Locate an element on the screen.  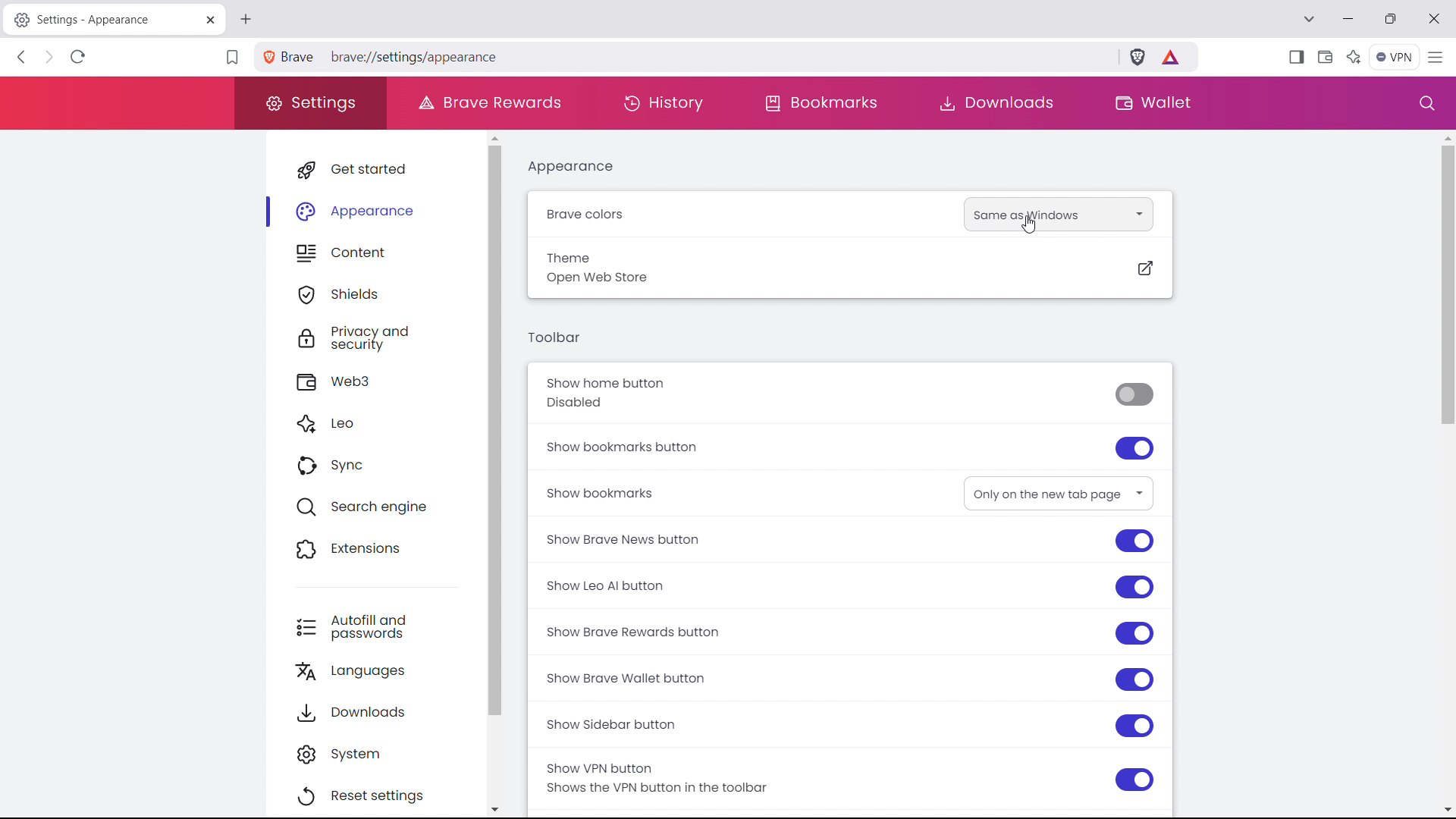
Show bookmarks is located at coordinates (621, 493).